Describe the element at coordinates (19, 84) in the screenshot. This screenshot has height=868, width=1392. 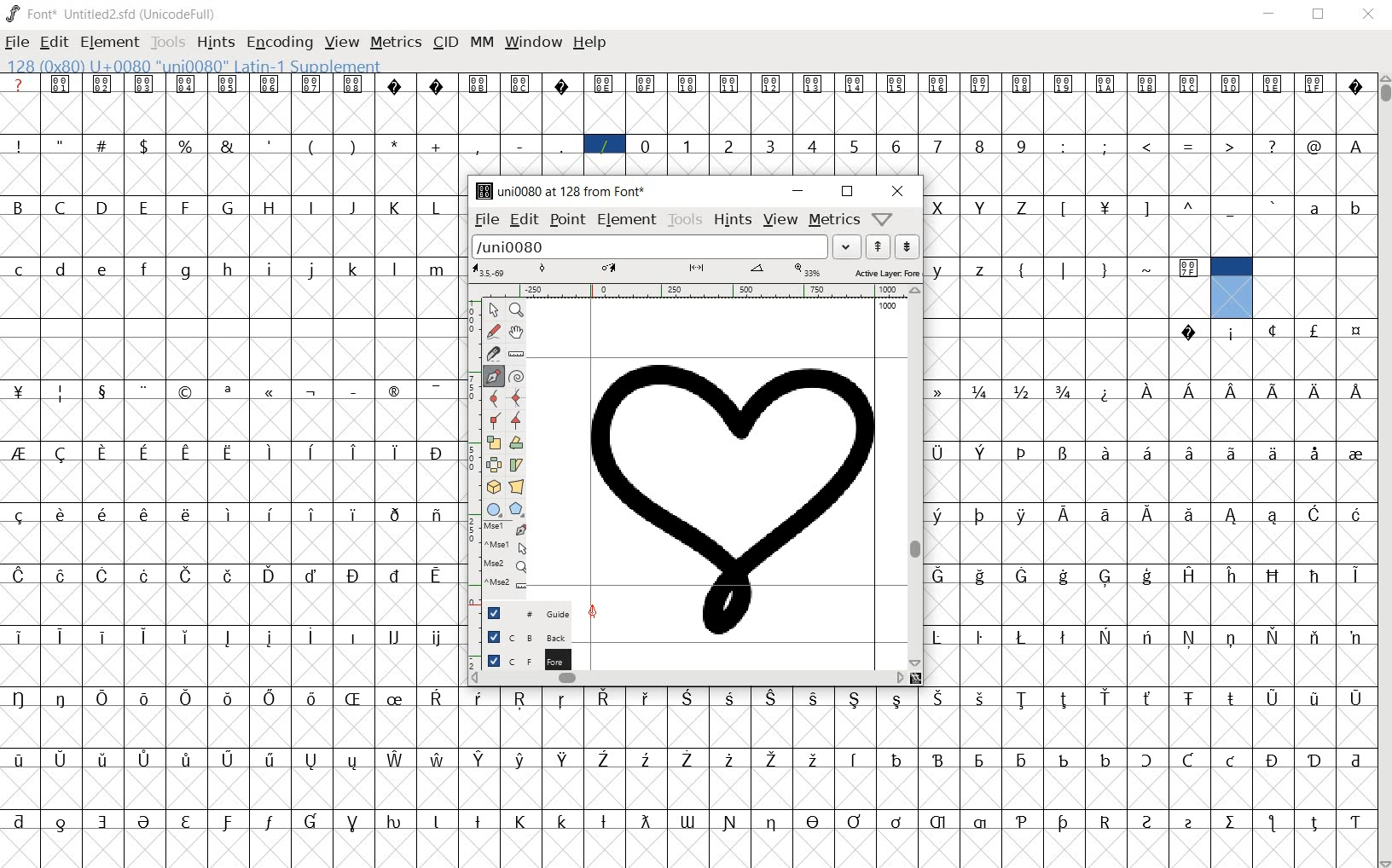
I see `Glyph` at that location.